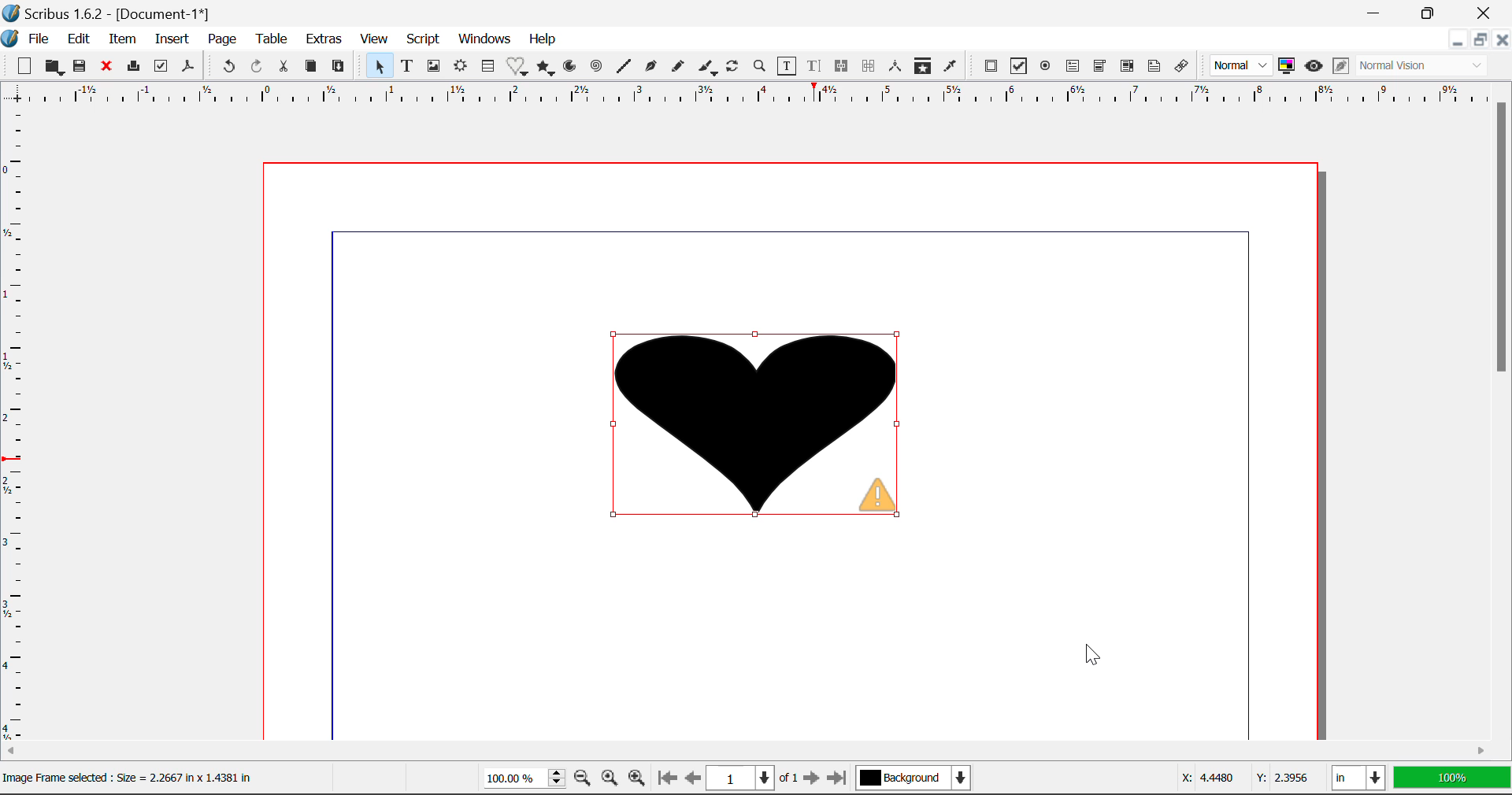 The image size is (1512, 795). Describe the element at coordinates (916, 779) in the screenshot. I see `Background` at that location.